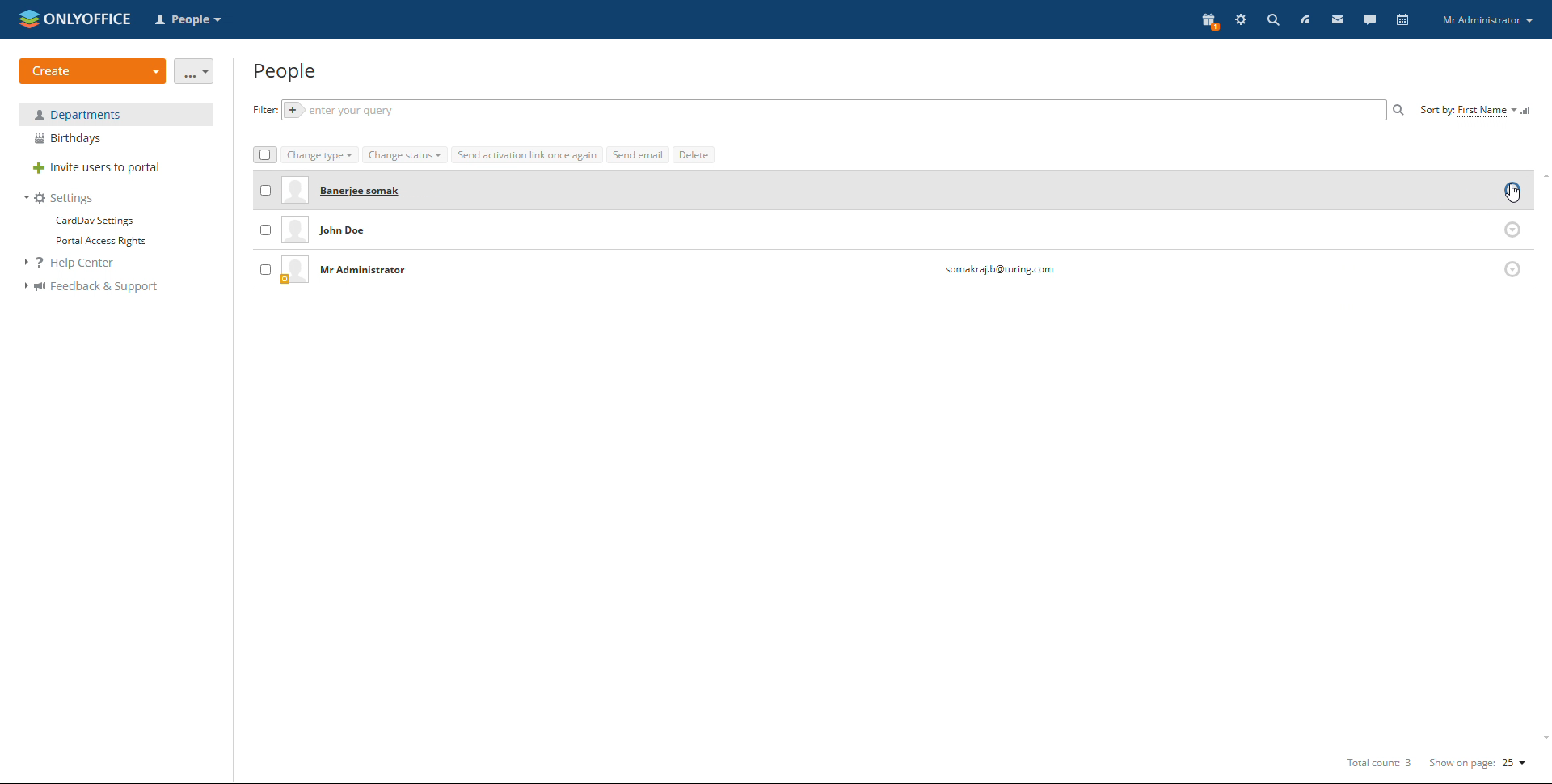  Describe the element at coordinates (998, 271) in the screenshot. I see `employee email` at that location.